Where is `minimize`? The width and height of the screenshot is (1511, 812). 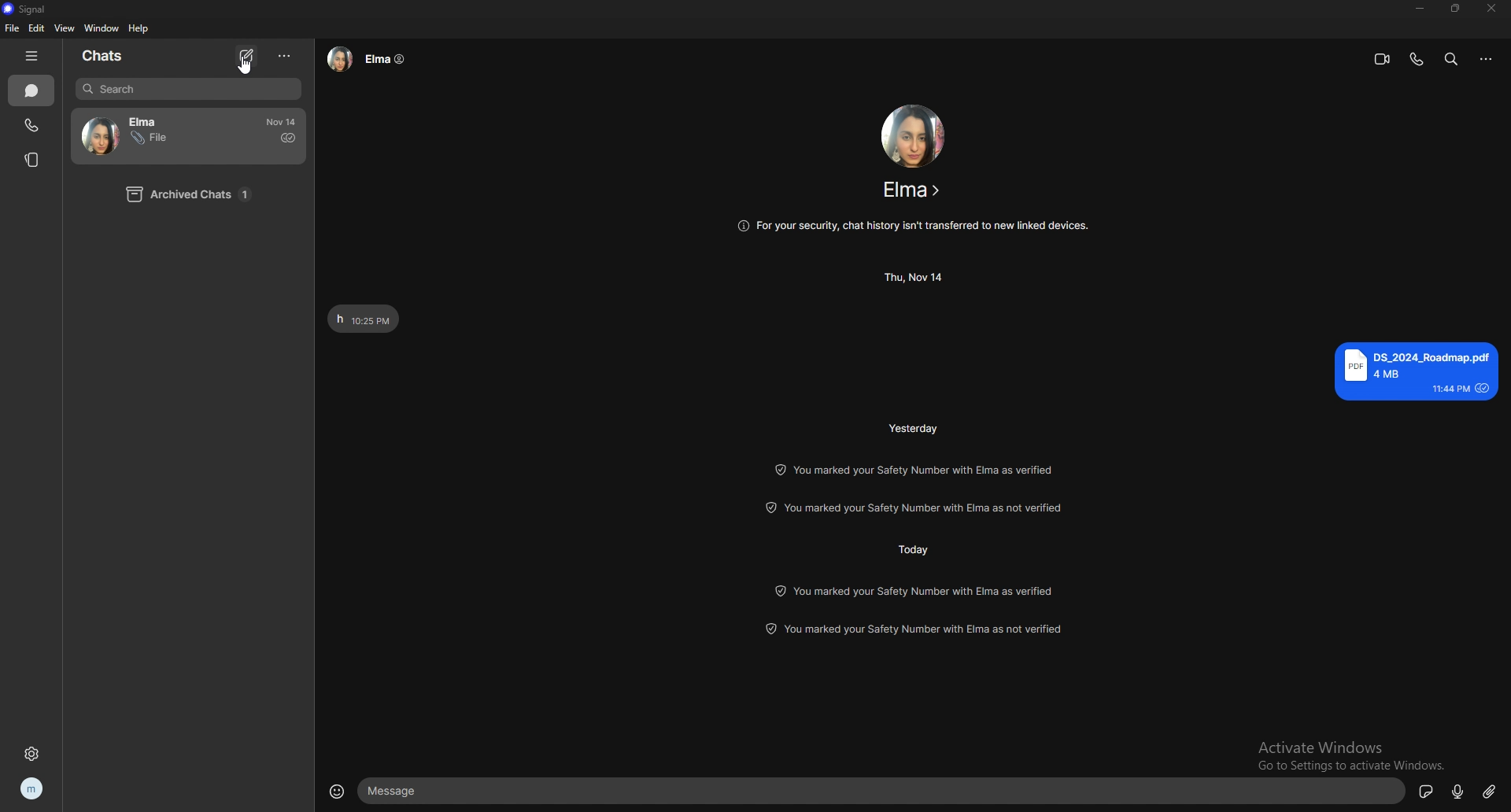 minimize is located at coordinates (1420, 7).